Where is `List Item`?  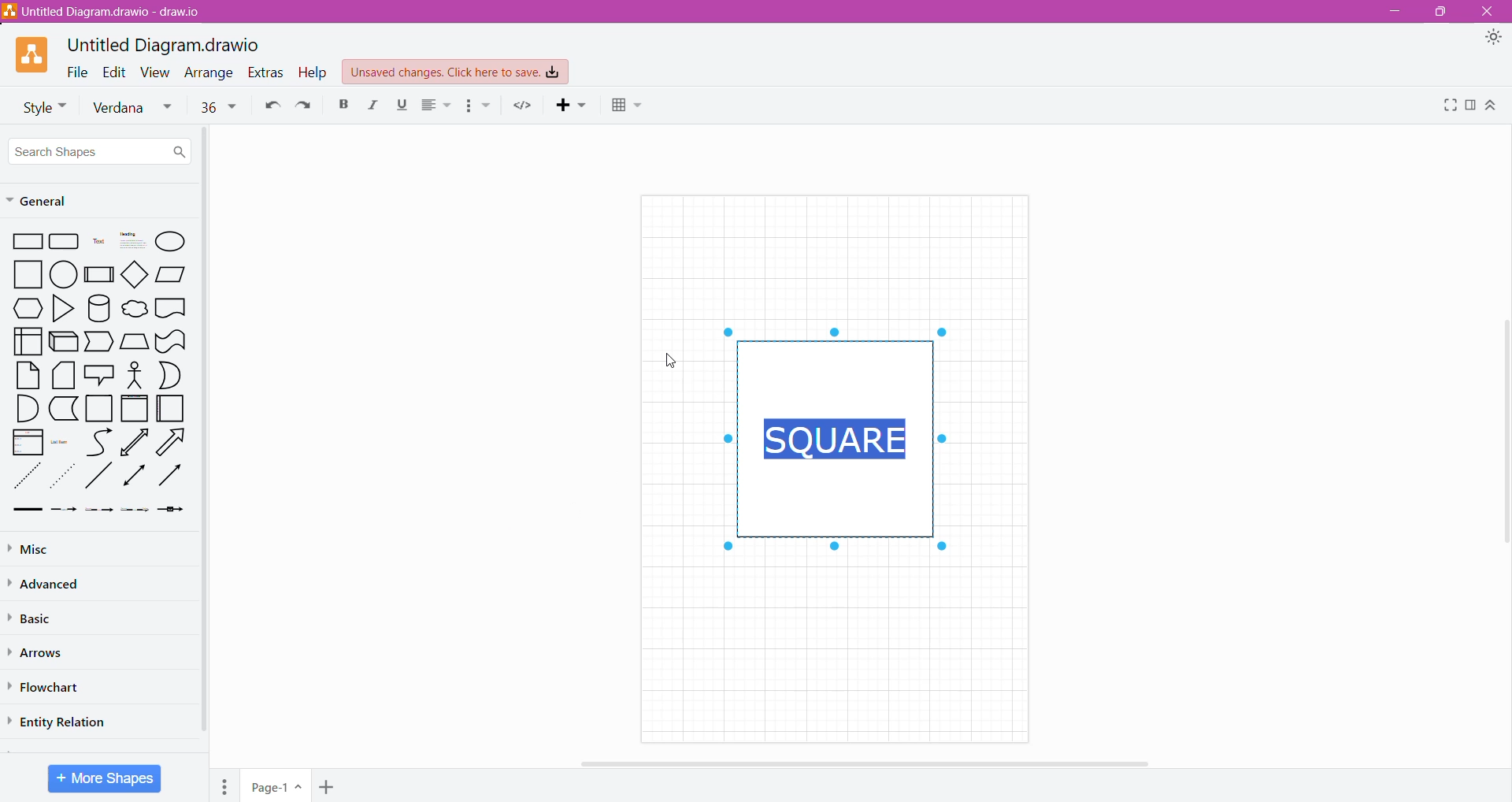 List Item is located at coordinates (61, 445).